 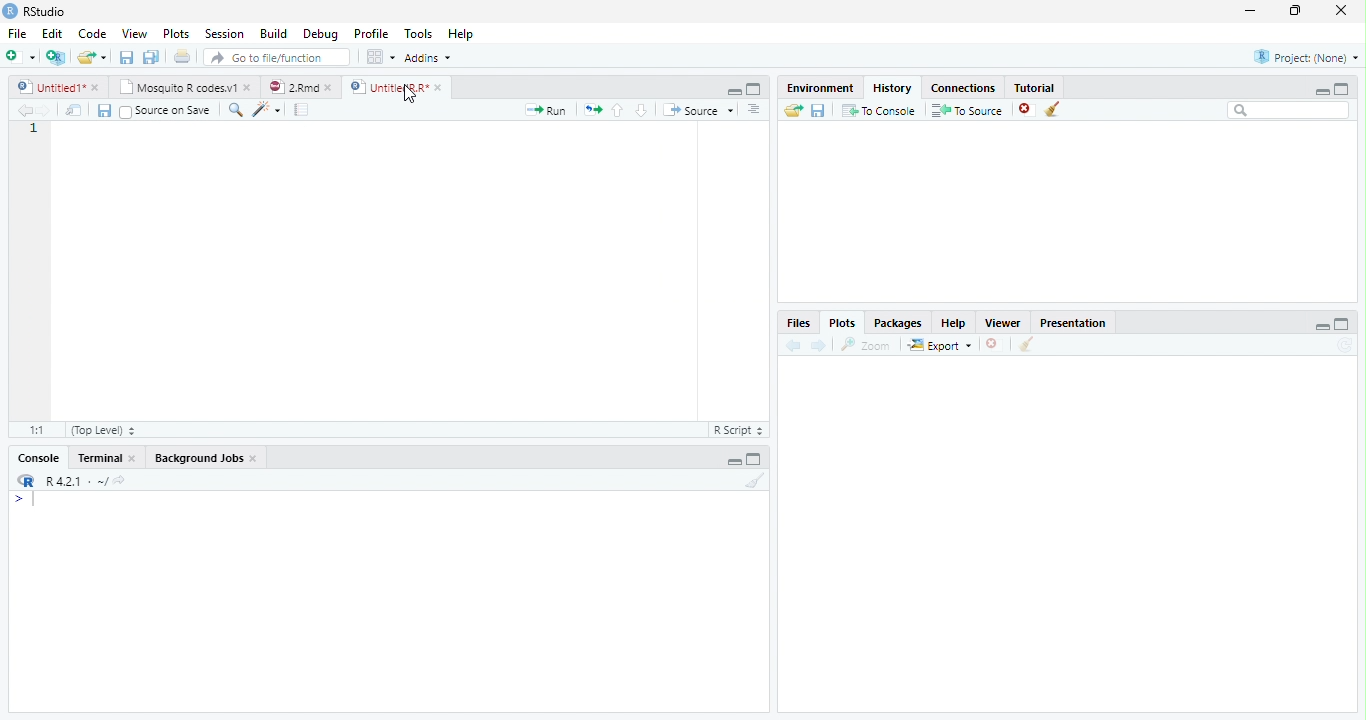 I want to click on View, so click(x=134, y=32).